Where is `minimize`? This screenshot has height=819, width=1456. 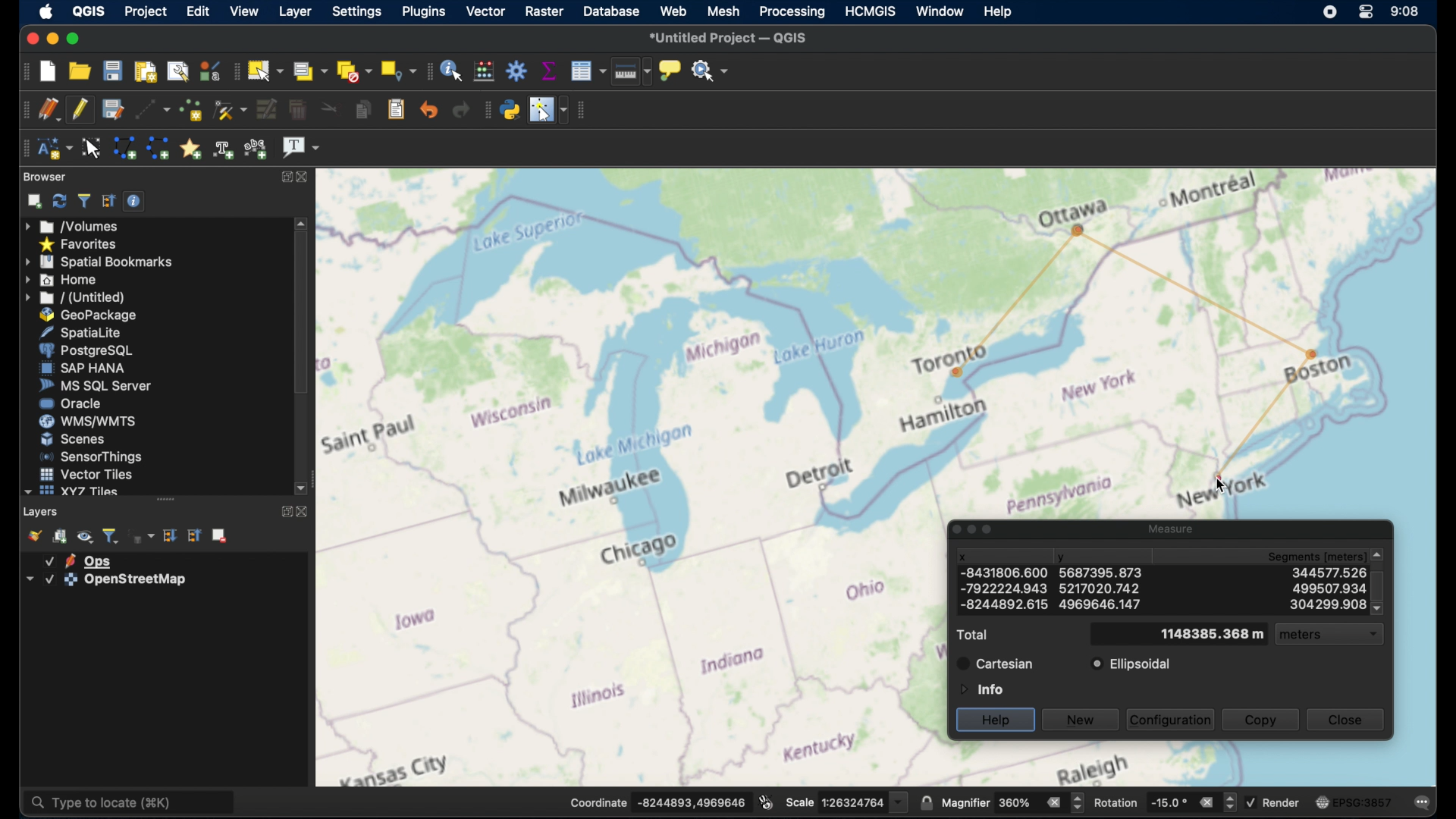
minimize is located at coordinates (971, 530).